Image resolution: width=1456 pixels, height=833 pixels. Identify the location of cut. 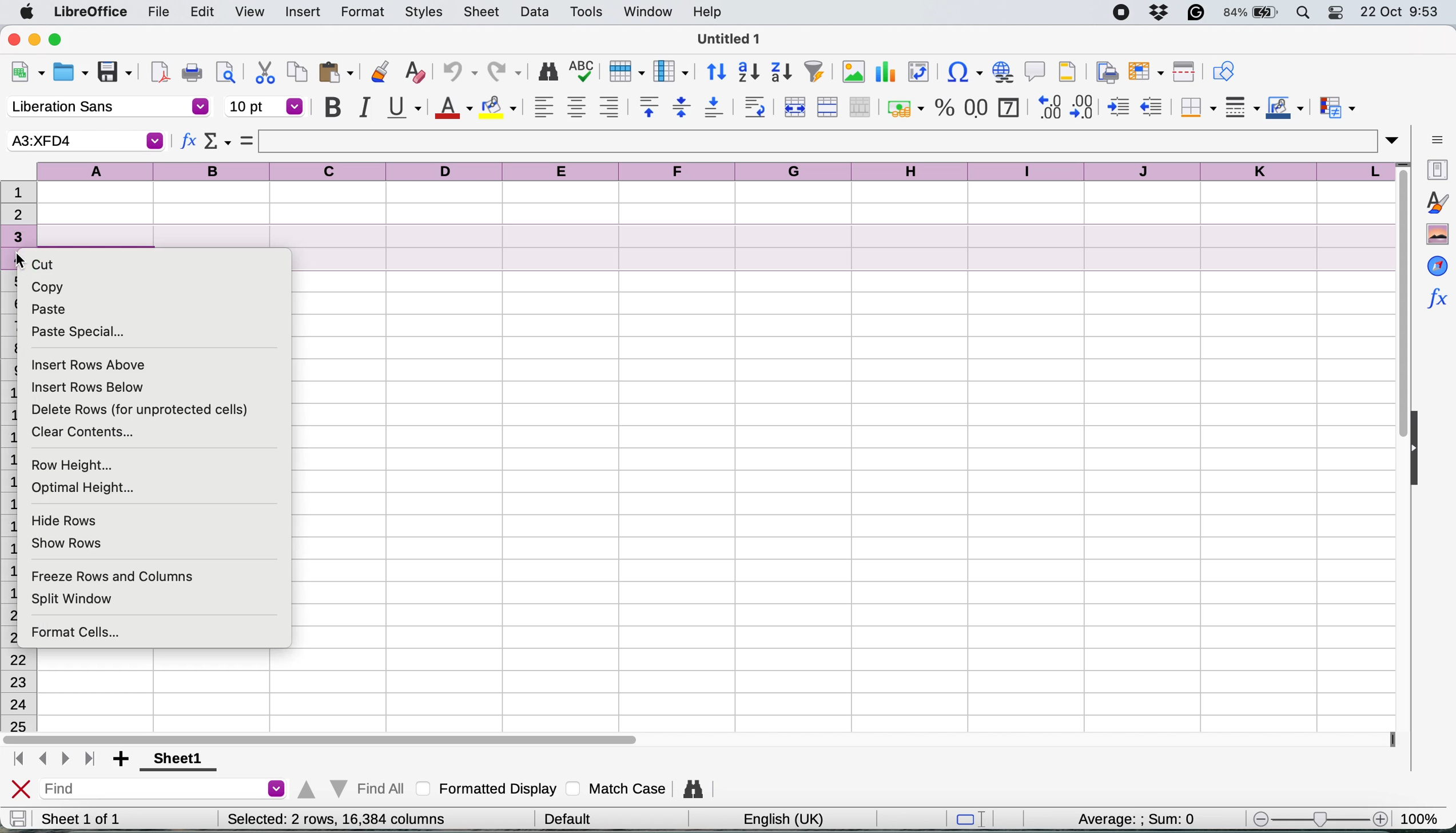
(265, 72).